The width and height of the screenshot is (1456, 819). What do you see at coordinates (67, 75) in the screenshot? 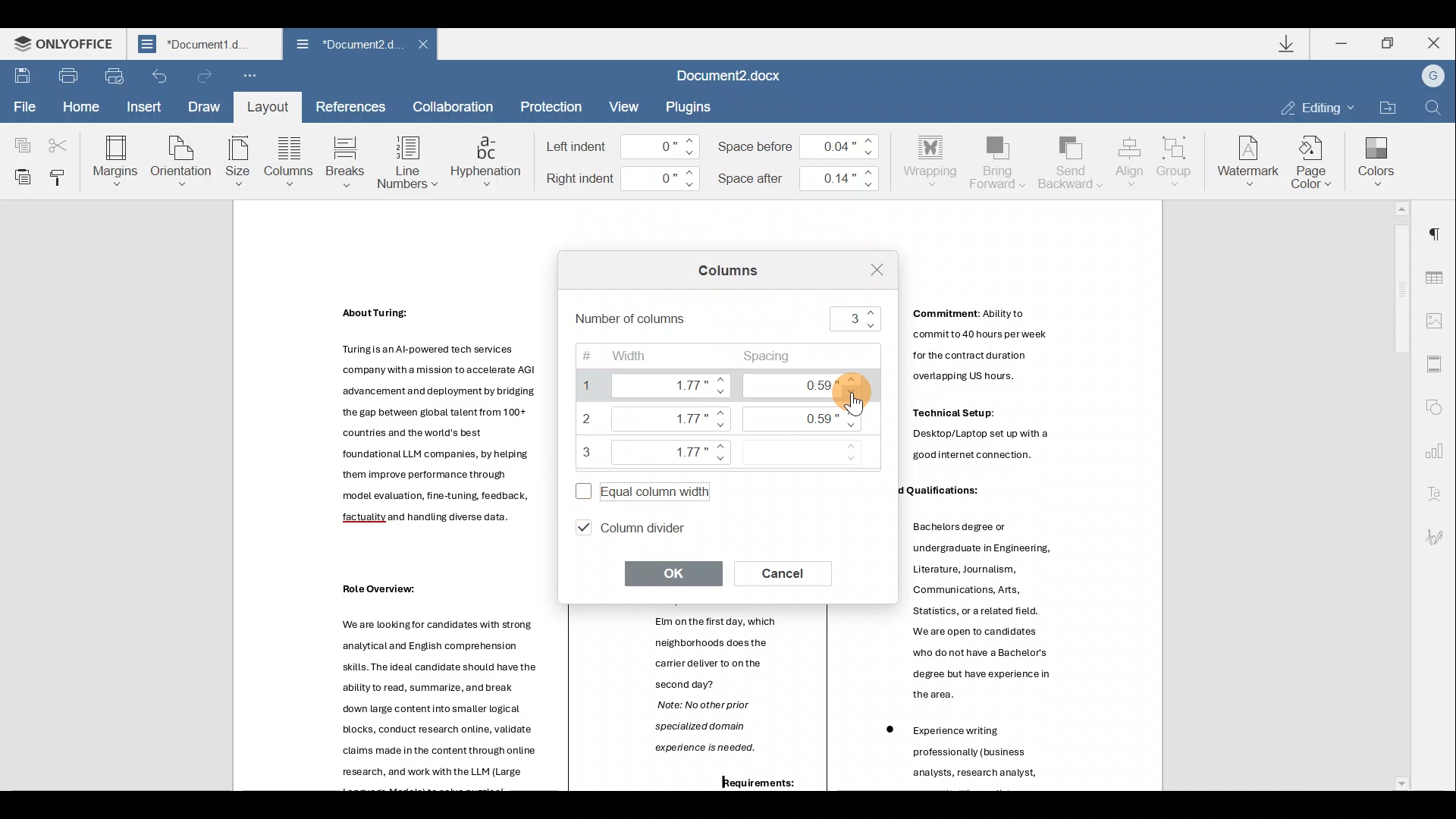
I see `Print file` at bounding box center [67, 75].